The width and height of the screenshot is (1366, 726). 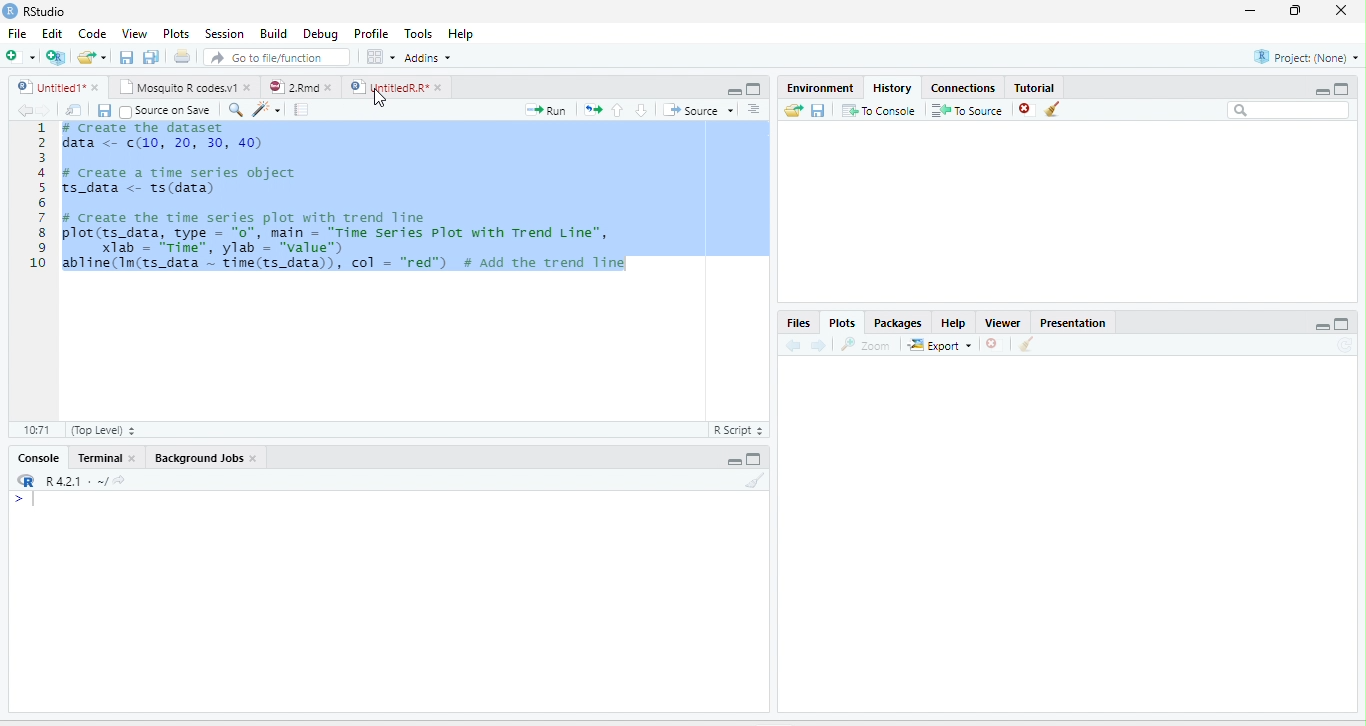 I want to click on minimize, so click(x=1250, y=11).